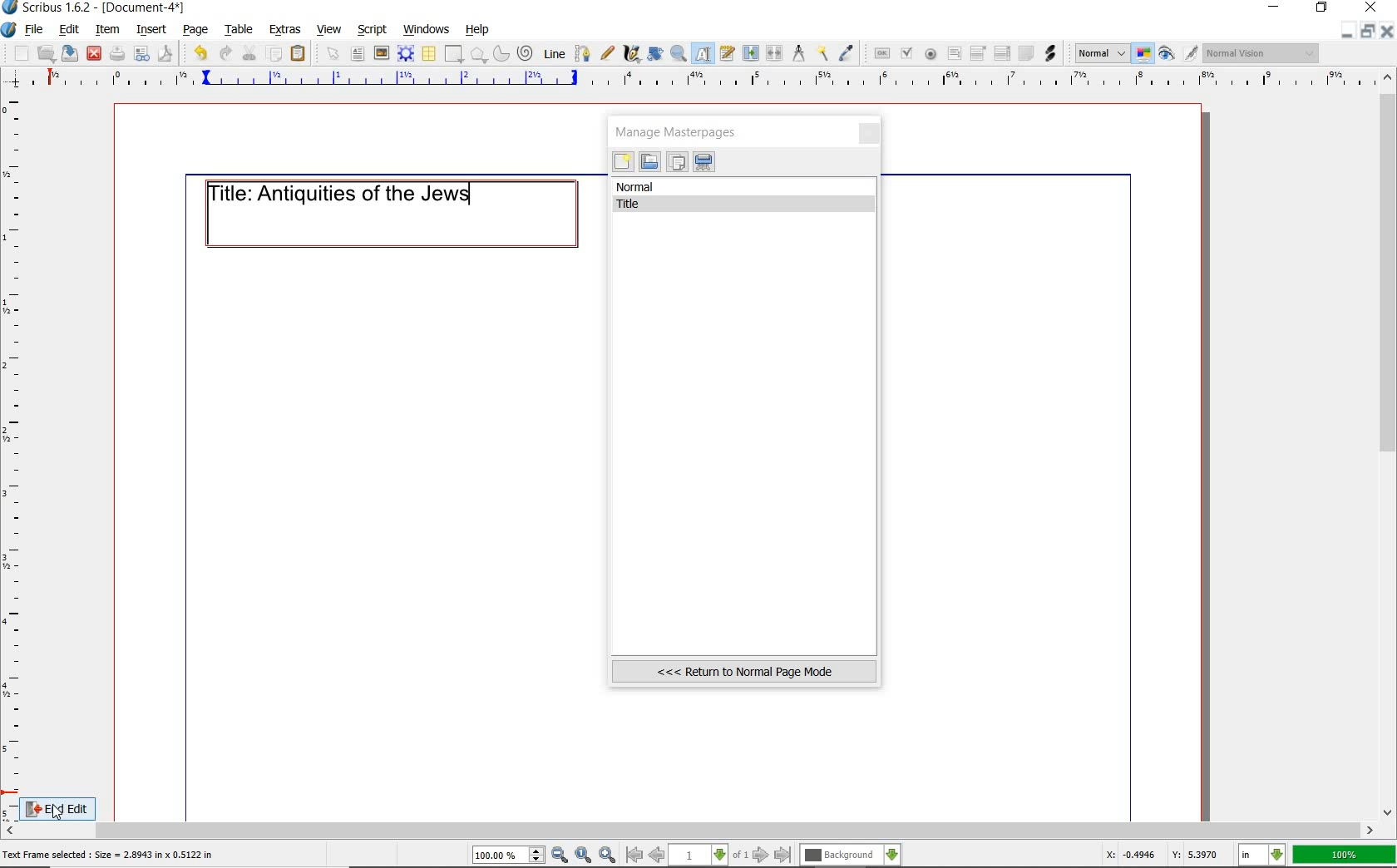  I want to click on ruler, so click(699, 81).